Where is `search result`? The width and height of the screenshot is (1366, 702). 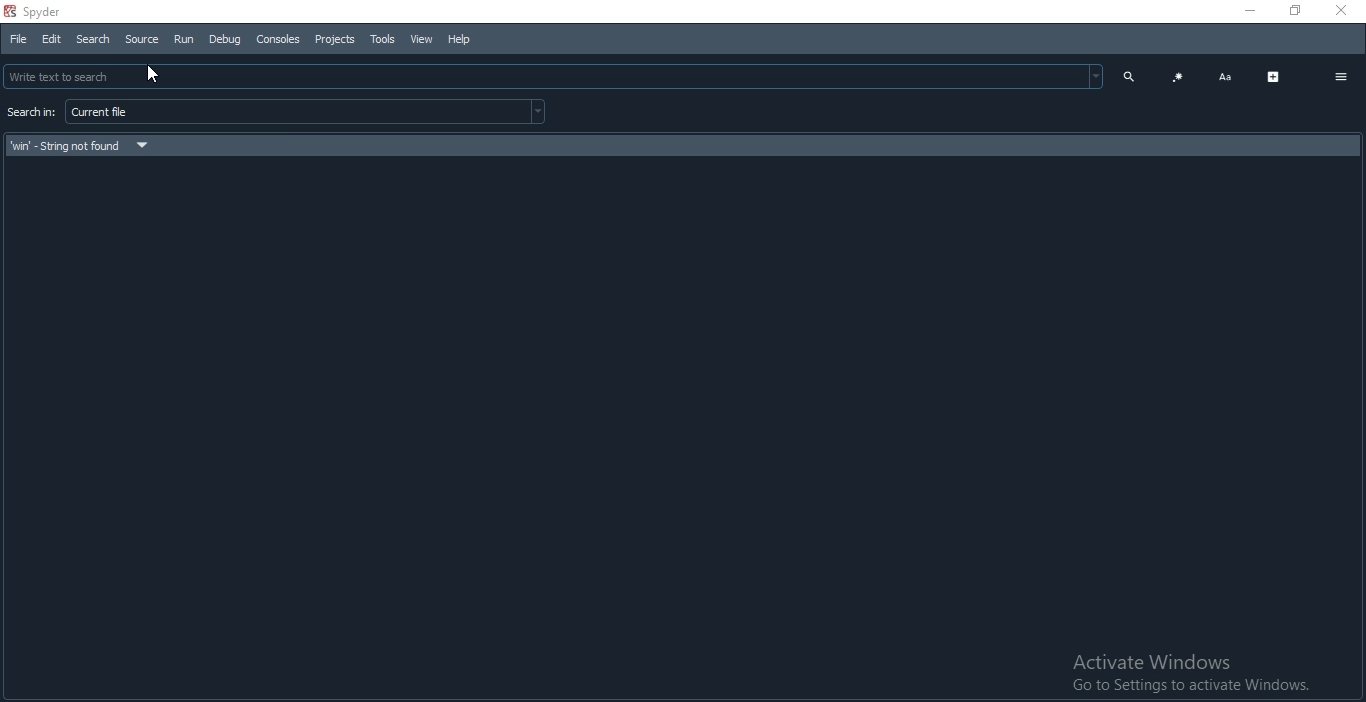
search result is located at coordinates (678, 143).